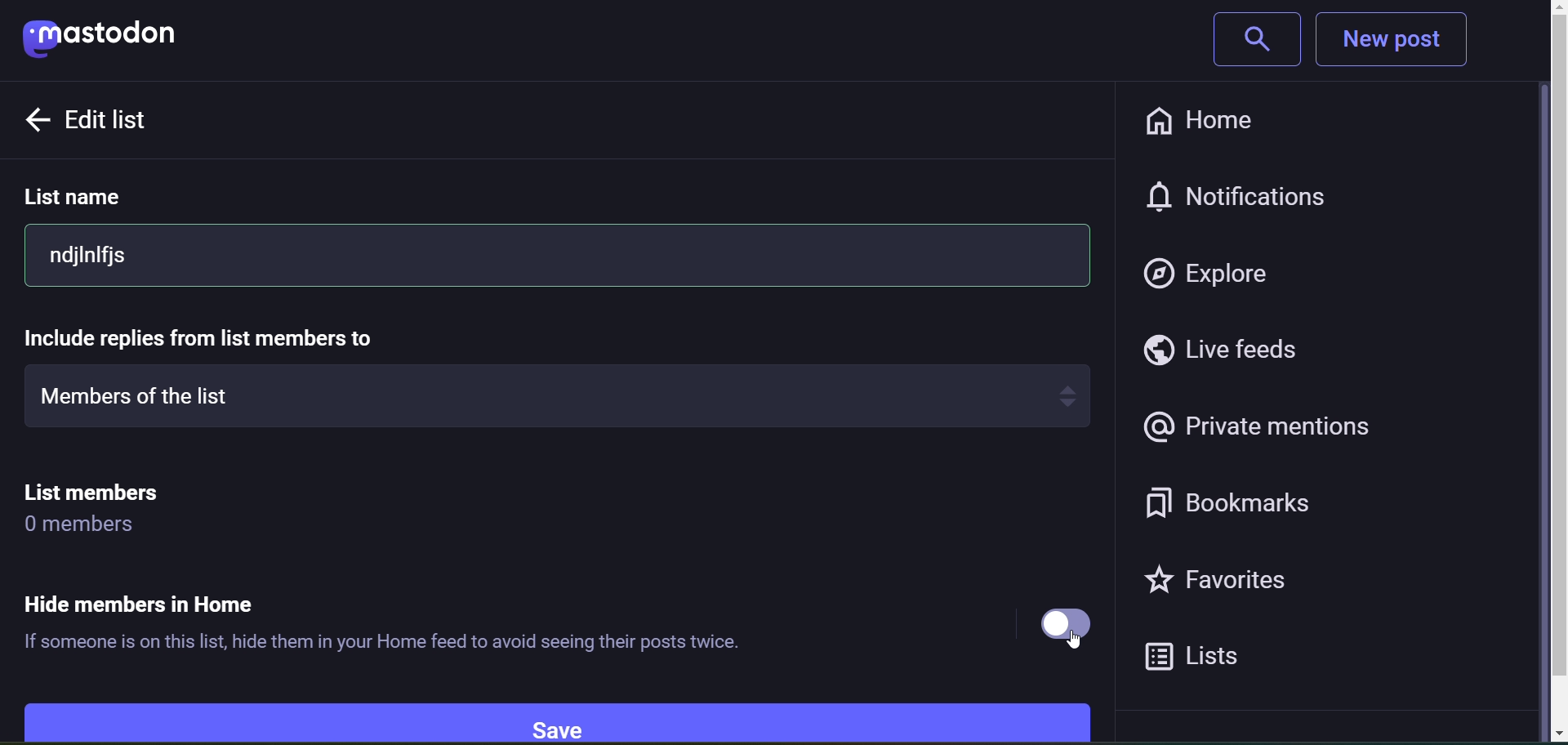 The image size is (1568, 745). What do you see at coordinates (1259, 428) in the screenshot?
I see `private mentions` at bounding box center [1259, 428].